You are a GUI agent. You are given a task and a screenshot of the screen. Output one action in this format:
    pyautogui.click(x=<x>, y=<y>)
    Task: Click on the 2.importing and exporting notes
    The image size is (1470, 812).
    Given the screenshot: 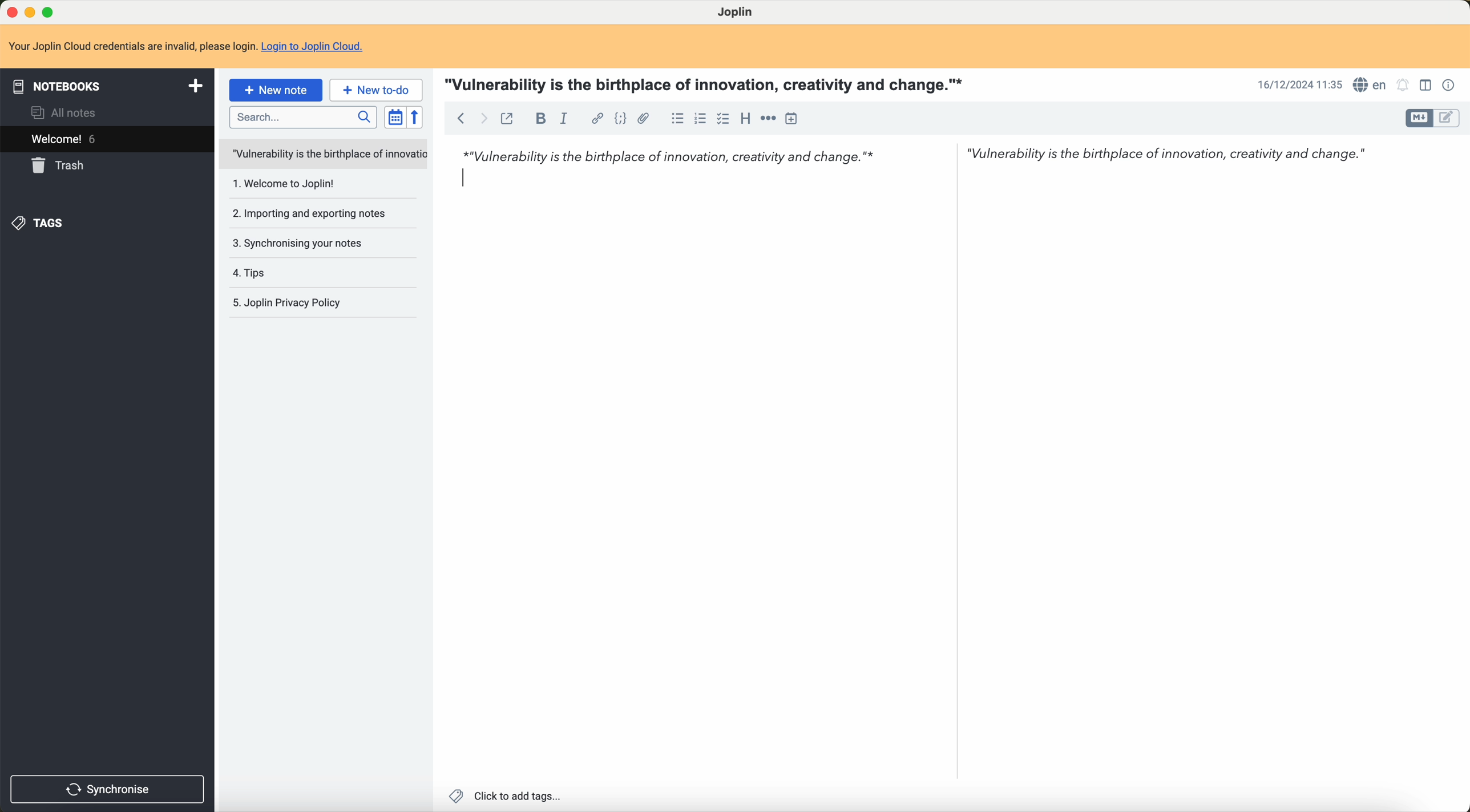 What is the action you would take?
    pyautogui.click(x=309, y=213)
    